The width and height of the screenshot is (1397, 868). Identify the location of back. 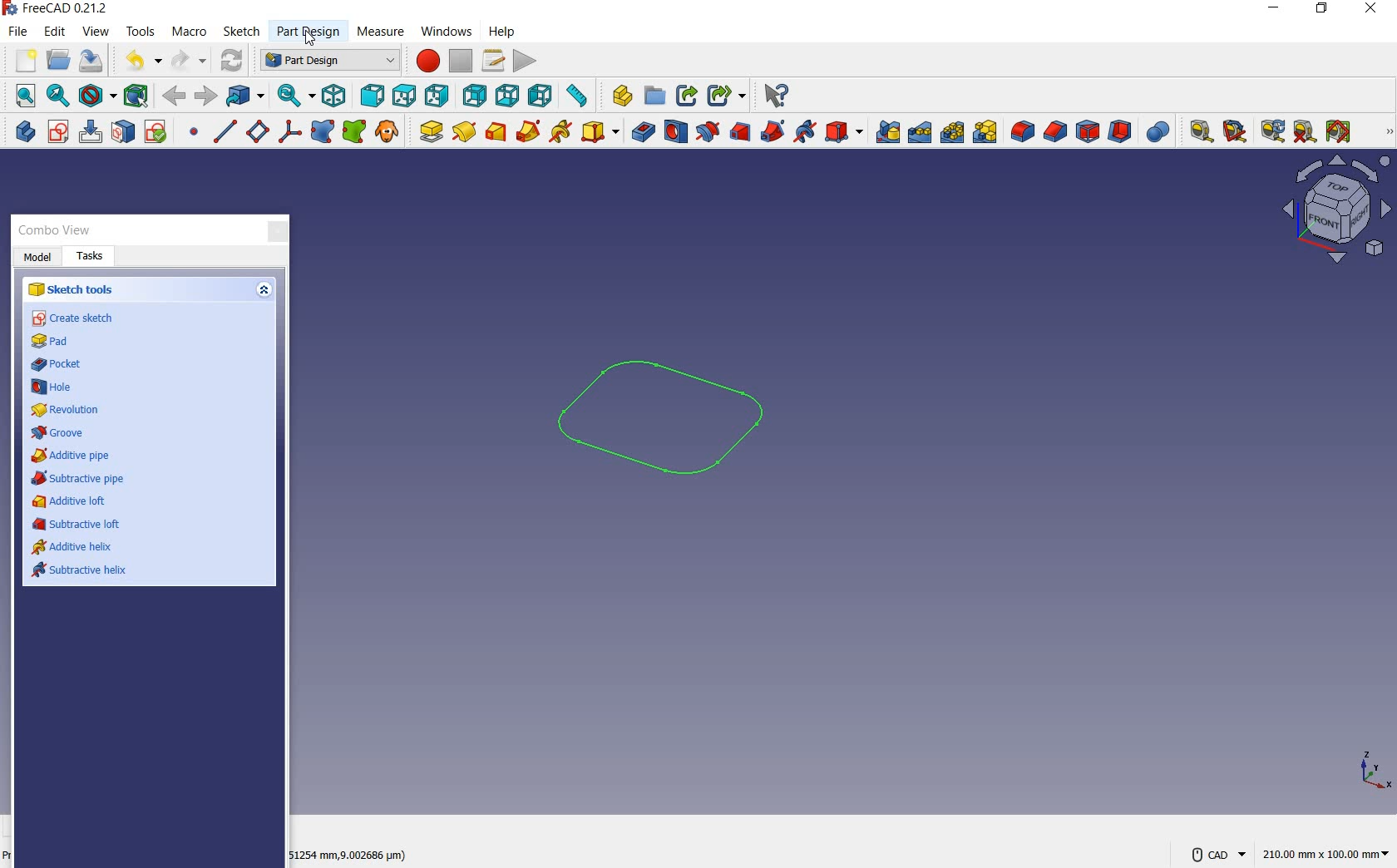
(207, 96).